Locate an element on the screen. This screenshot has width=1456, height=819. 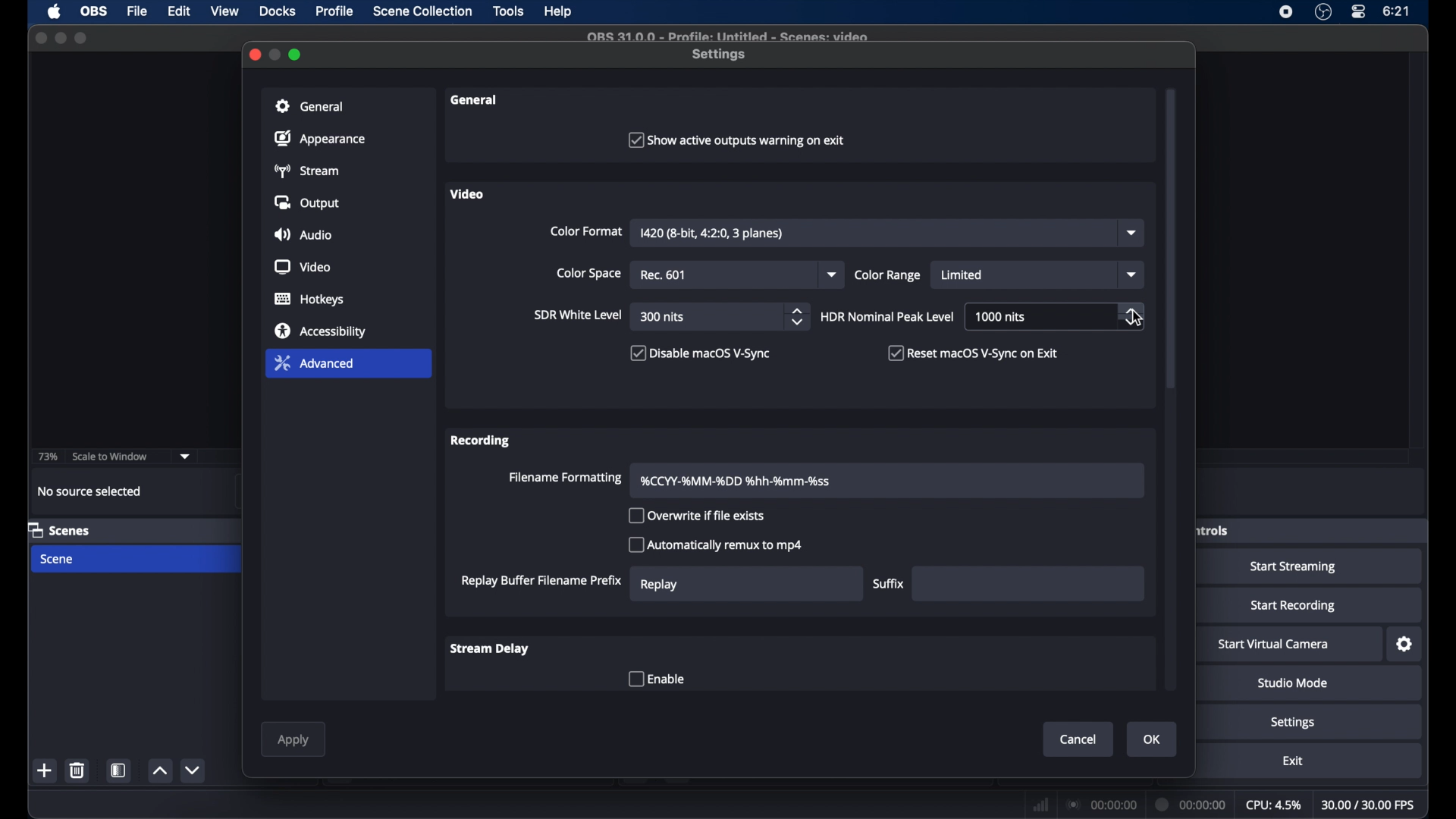
decrement is located at coordinates (195, 770).